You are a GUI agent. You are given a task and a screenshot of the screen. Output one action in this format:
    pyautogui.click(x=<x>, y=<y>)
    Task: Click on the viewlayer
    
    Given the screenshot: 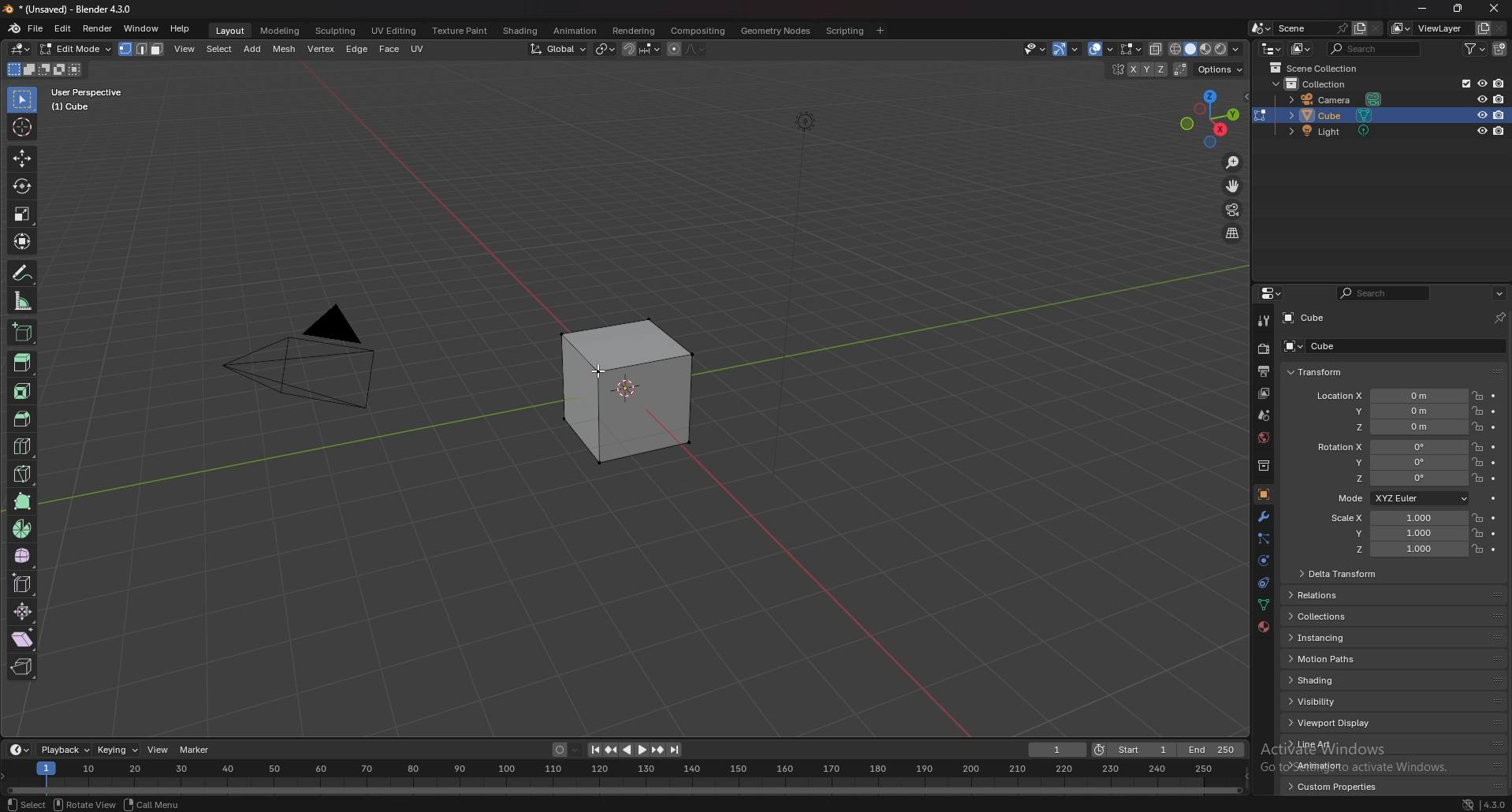 What is the action you would take?
    pyautogui.click(x=1429, y=28)
    